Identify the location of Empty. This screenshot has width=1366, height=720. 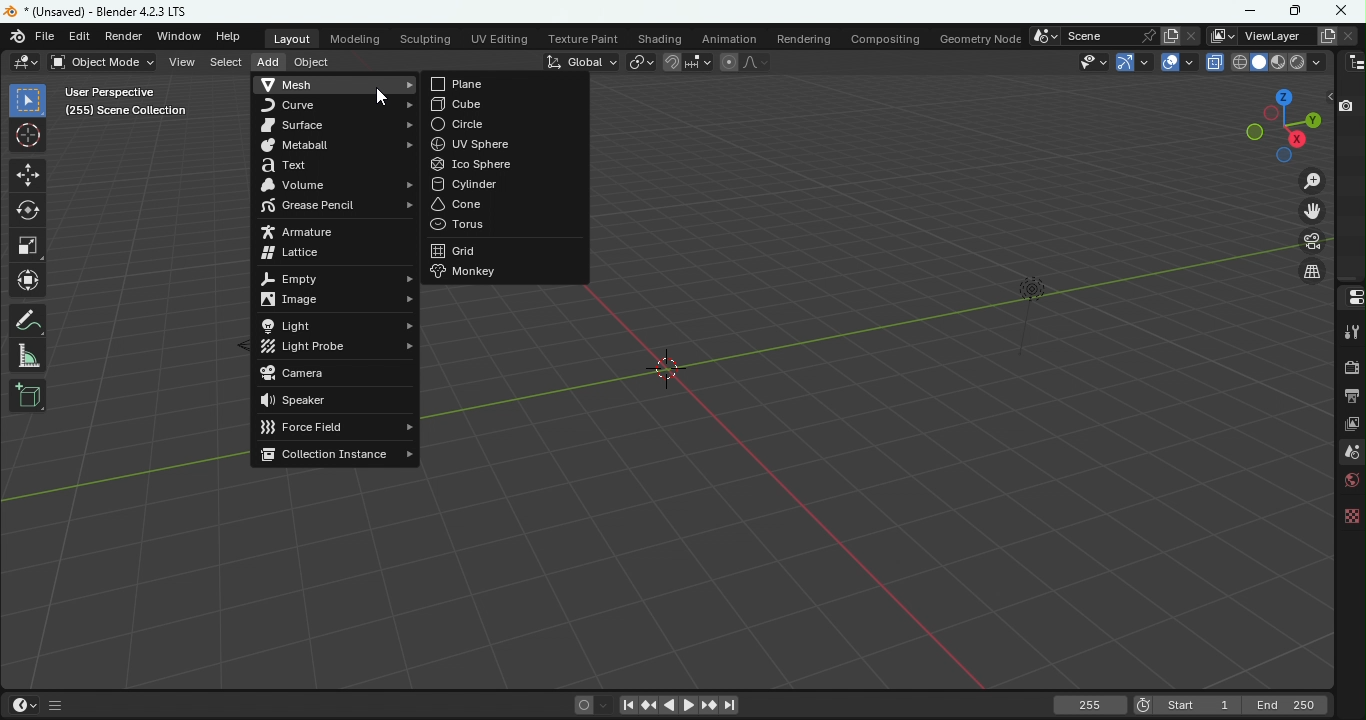
(338, 278).